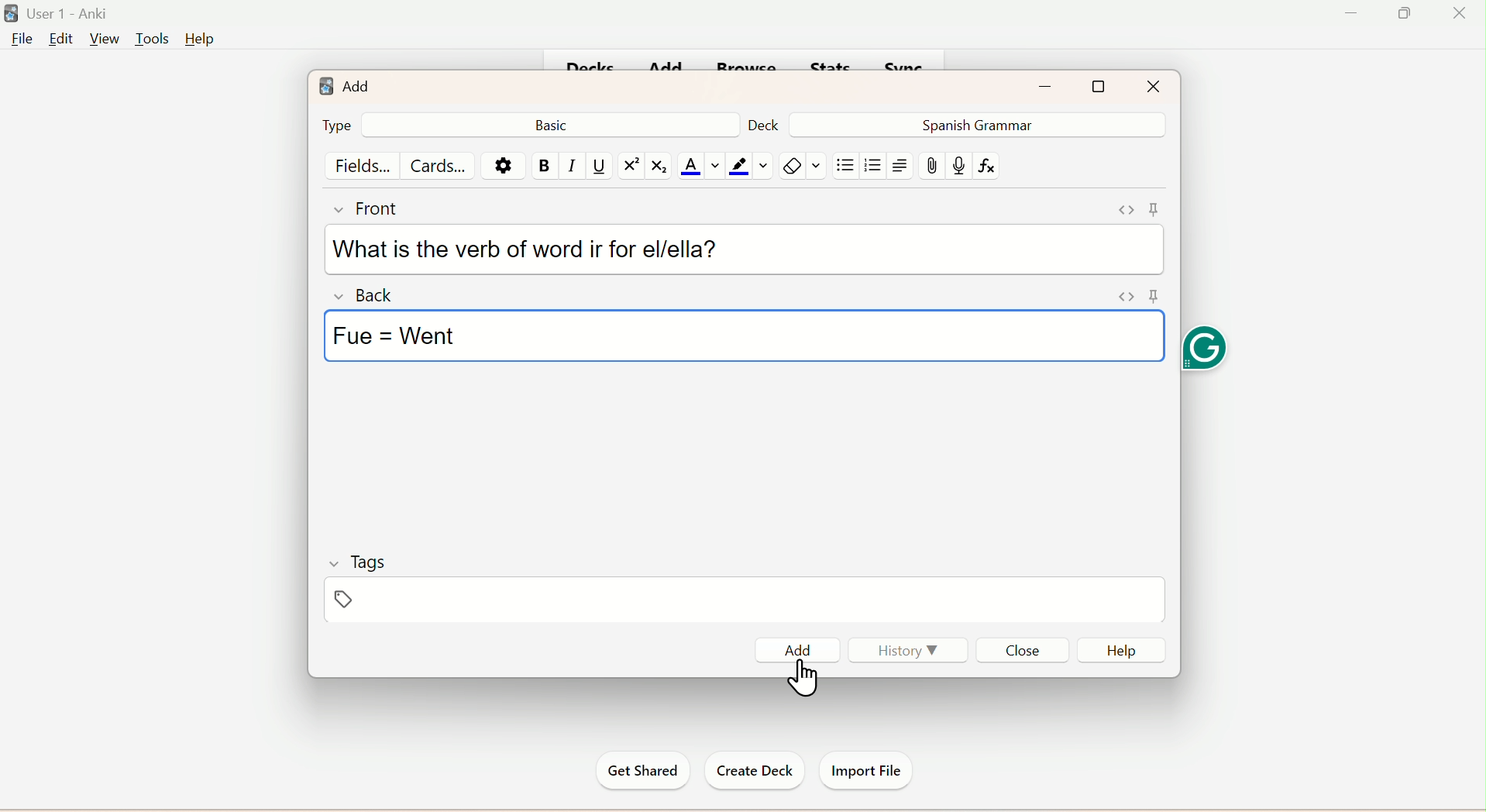  I want to click on Minimize, so click(1354, 13).